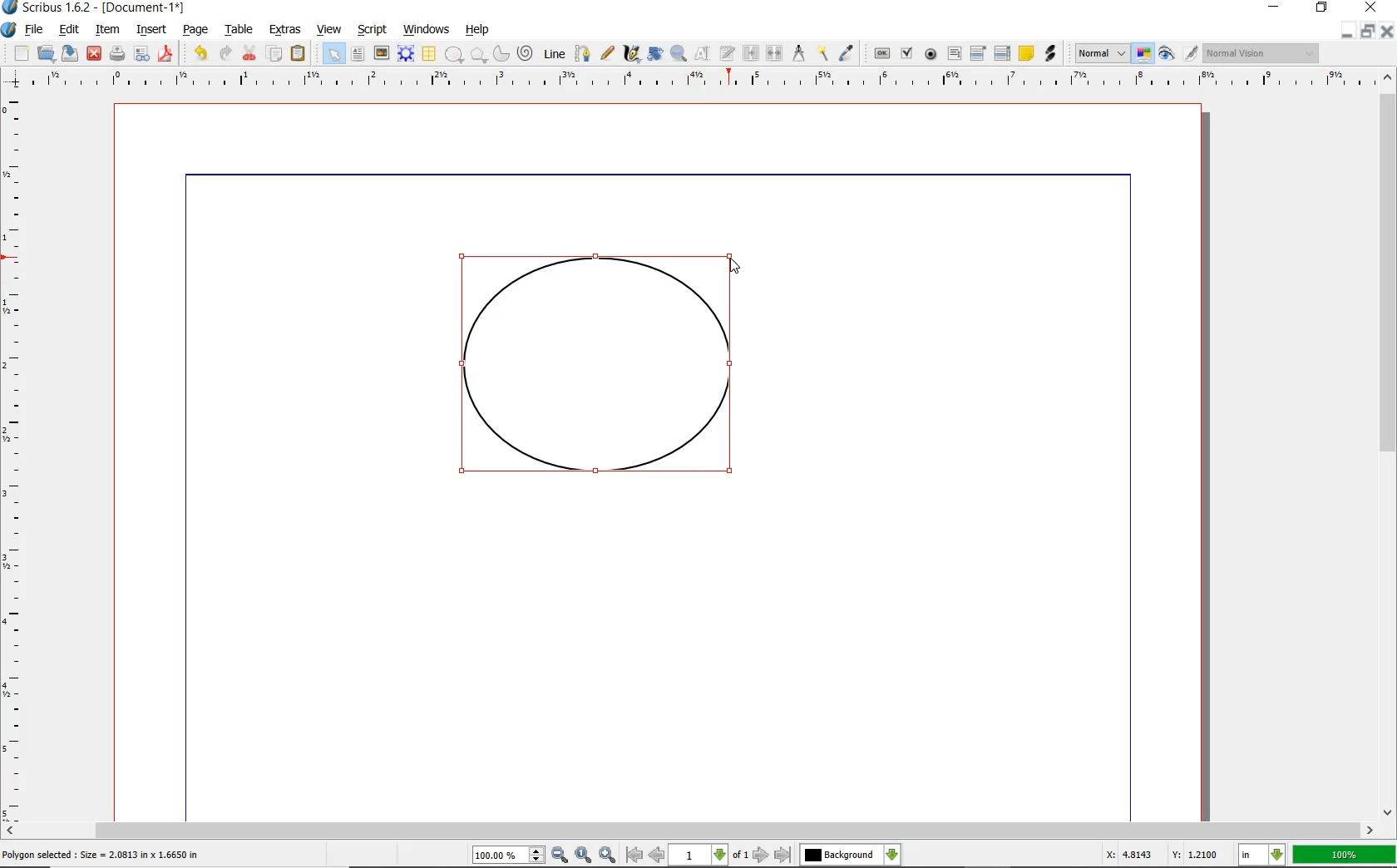 This screenshot has height=868, width=1397. I want to click on MINIMIZE, so click(1276, 6).